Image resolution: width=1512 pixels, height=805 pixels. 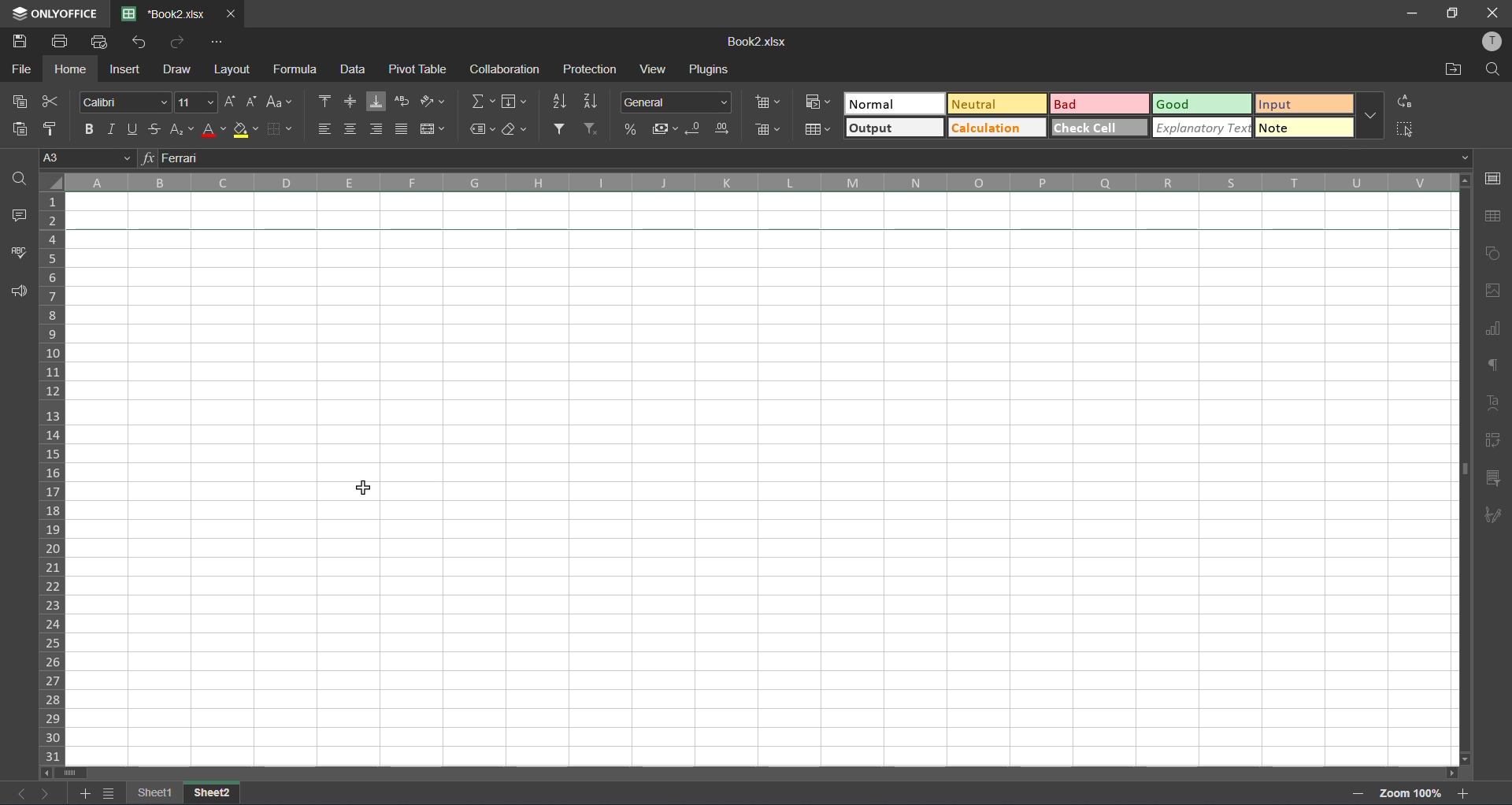 I want to click on borders, so click(x=285, y=127).